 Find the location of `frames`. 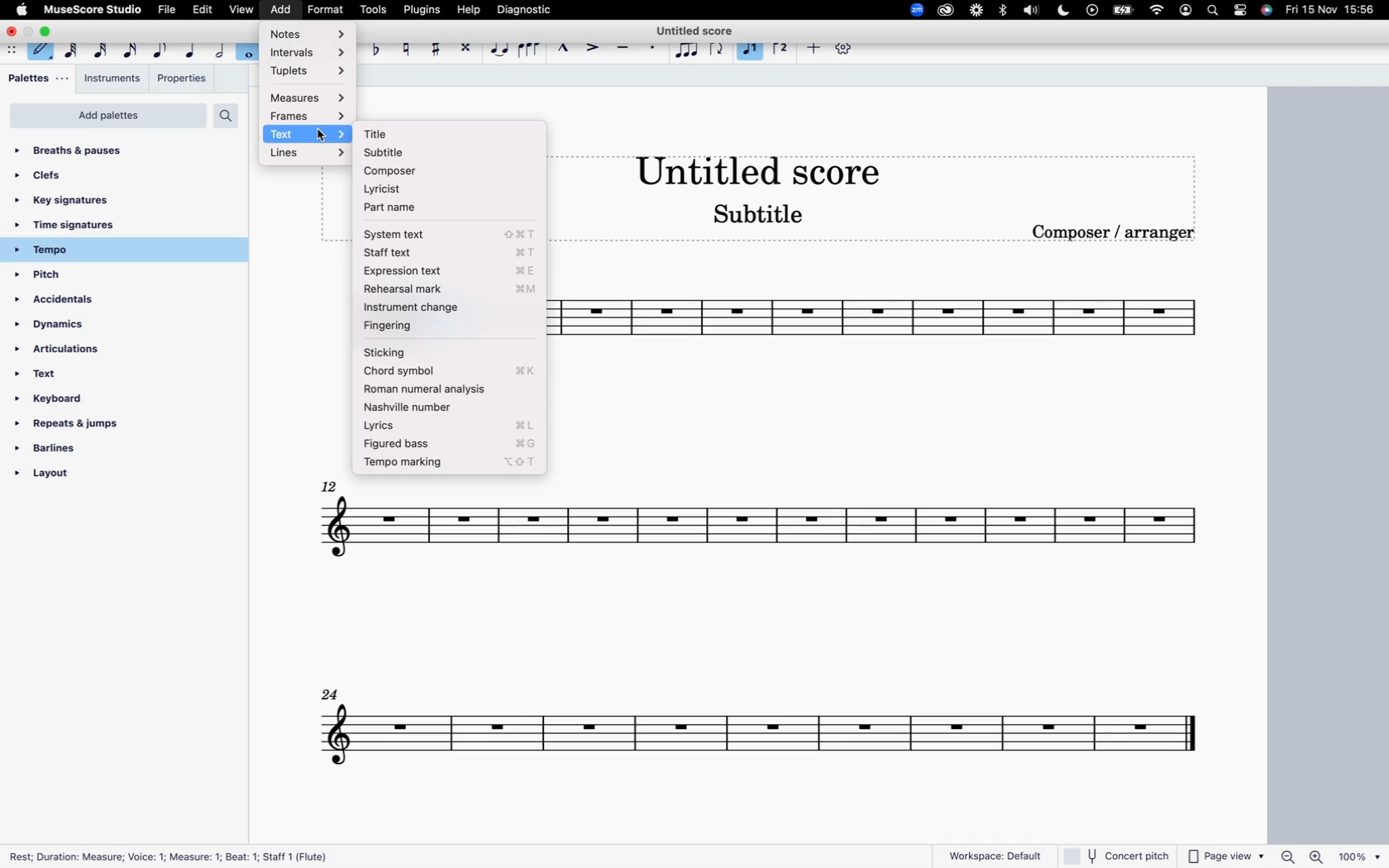

frames is located at coordinates (308, 117).